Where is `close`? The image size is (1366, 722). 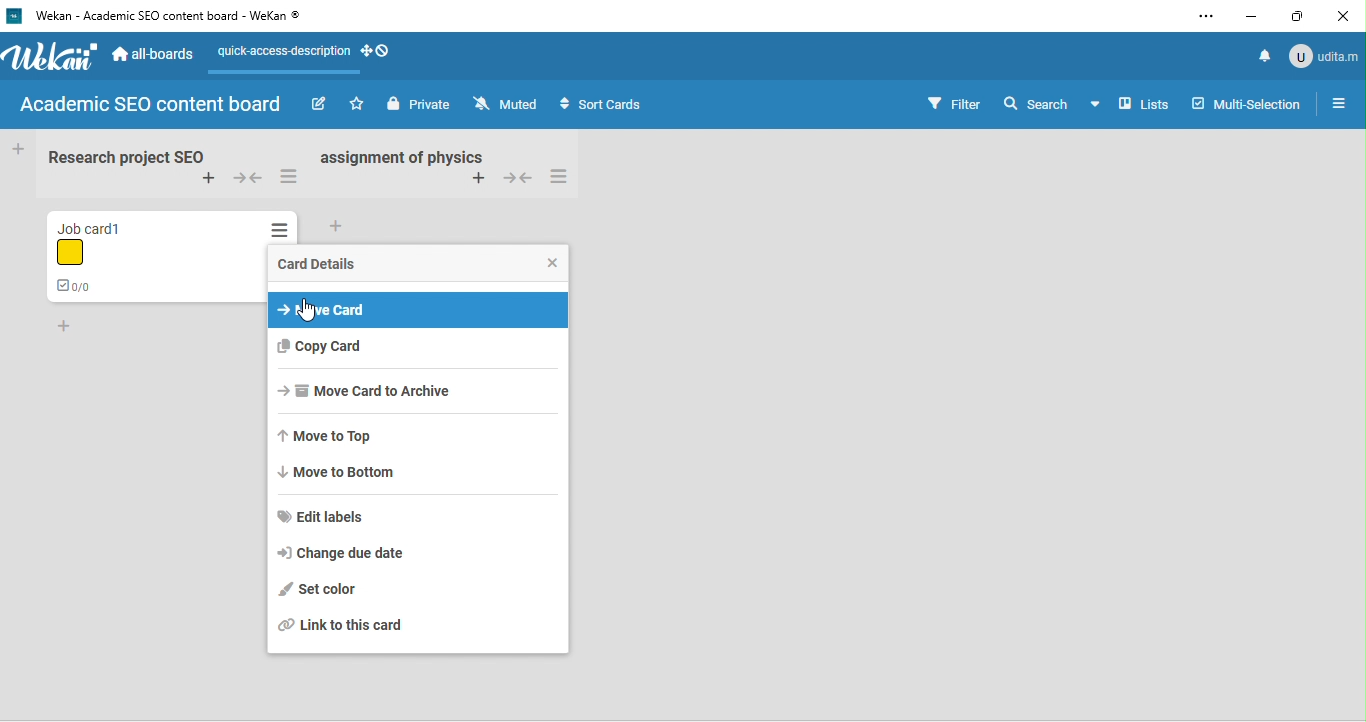 close is located at coordinates (546, 264).